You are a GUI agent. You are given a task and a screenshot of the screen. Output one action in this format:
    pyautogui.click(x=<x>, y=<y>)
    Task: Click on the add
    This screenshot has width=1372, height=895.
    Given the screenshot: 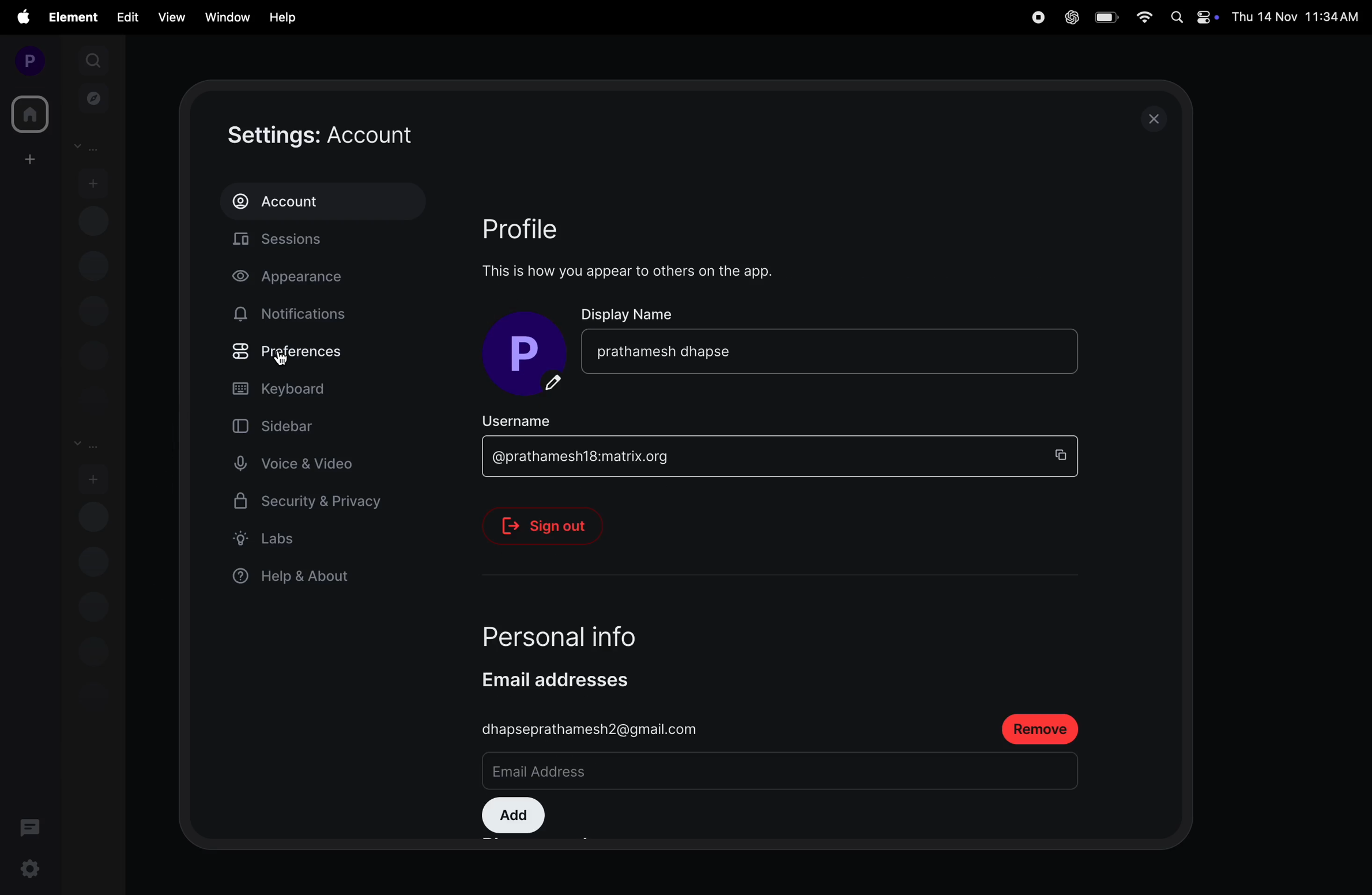 What is the action you would take?
    pyautogui.click(x=94, y=479)
    